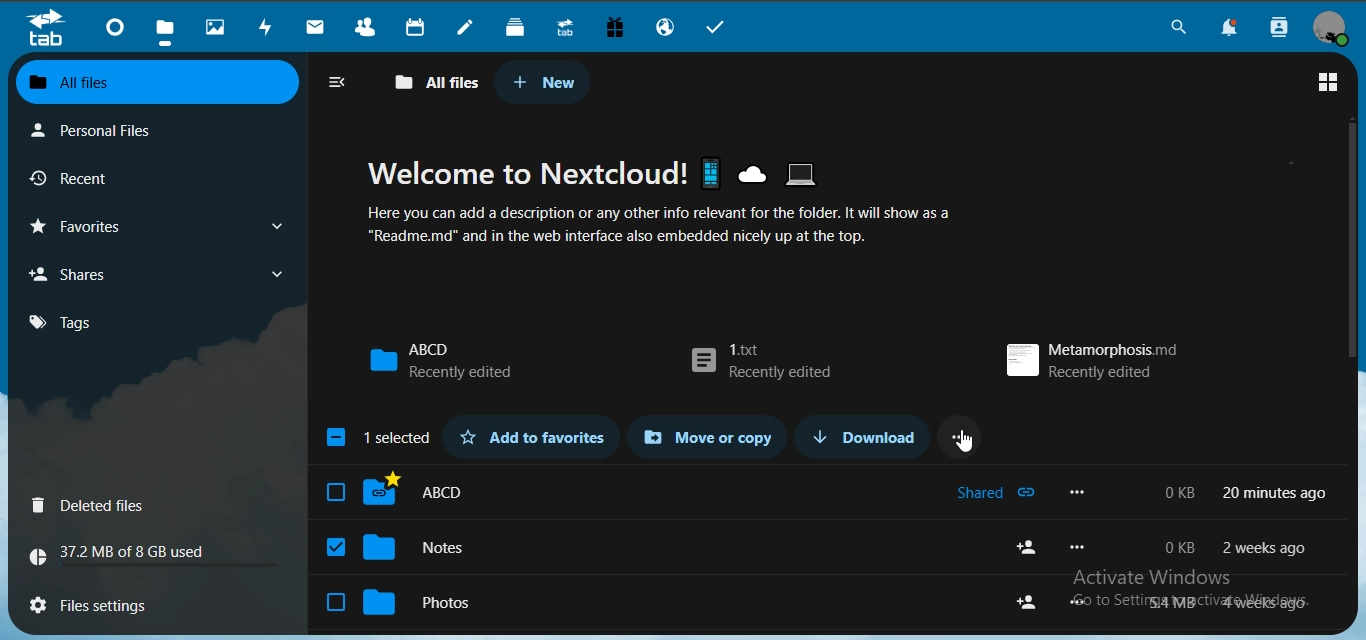 The width and height of the screenshot is (1366, 640). I want to click on all files, so click(433, 81).